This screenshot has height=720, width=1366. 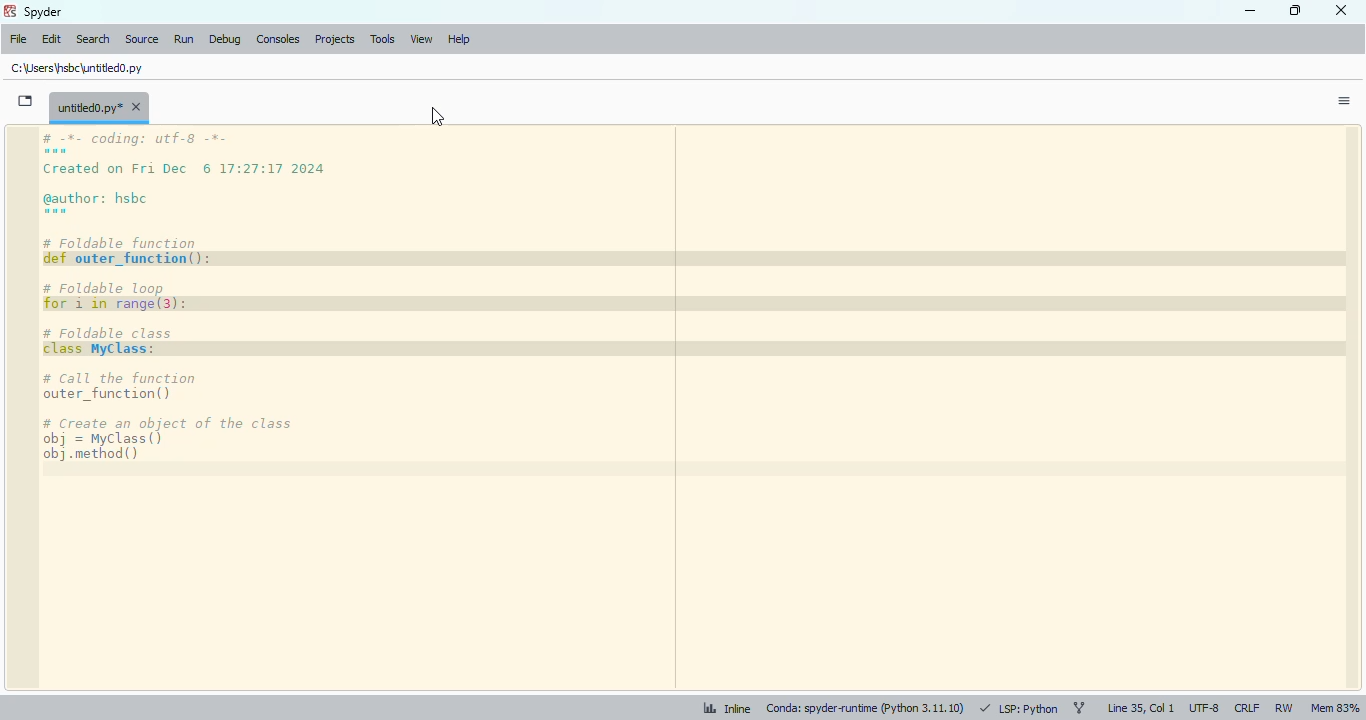 What do you see at coordinates (1079, 708) in the screenshot?
I see `git branch` at bounding box center [1079, 708].